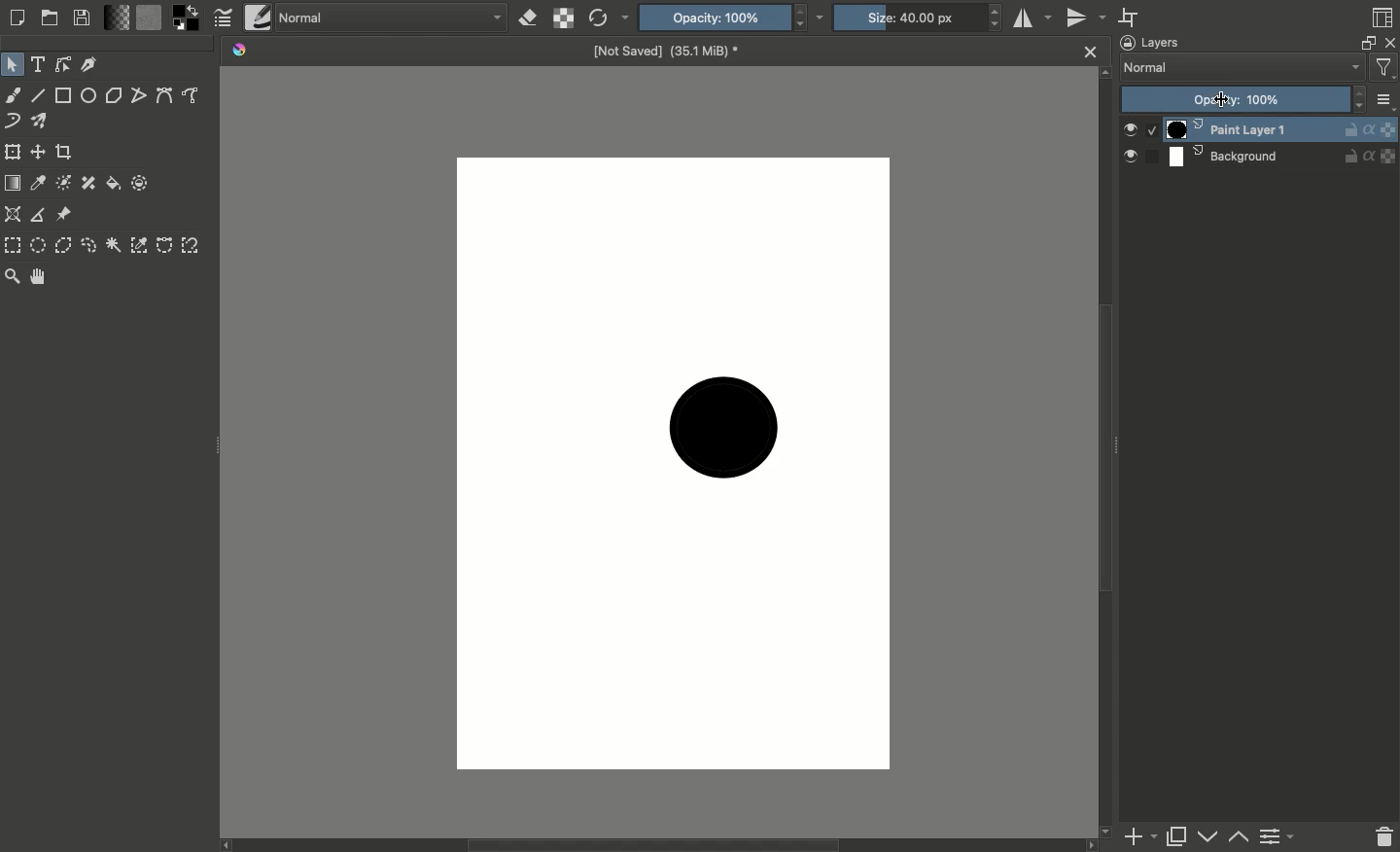 This screenshot has height=852, width=1400. I want to click on Move a layer, so click(39, 151).